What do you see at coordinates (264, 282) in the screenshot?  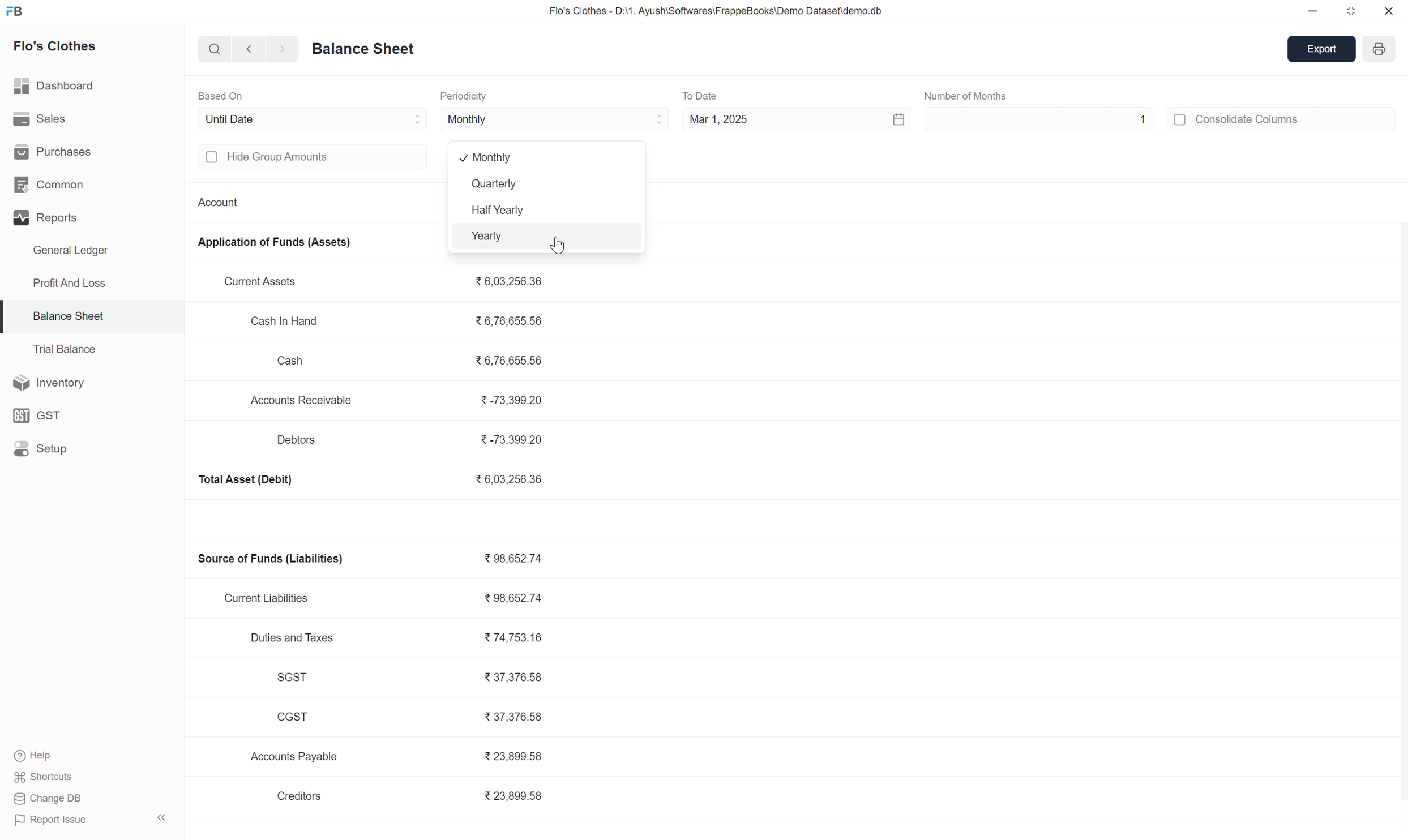 I see `Current Assets` at bounding box center [264, 282].